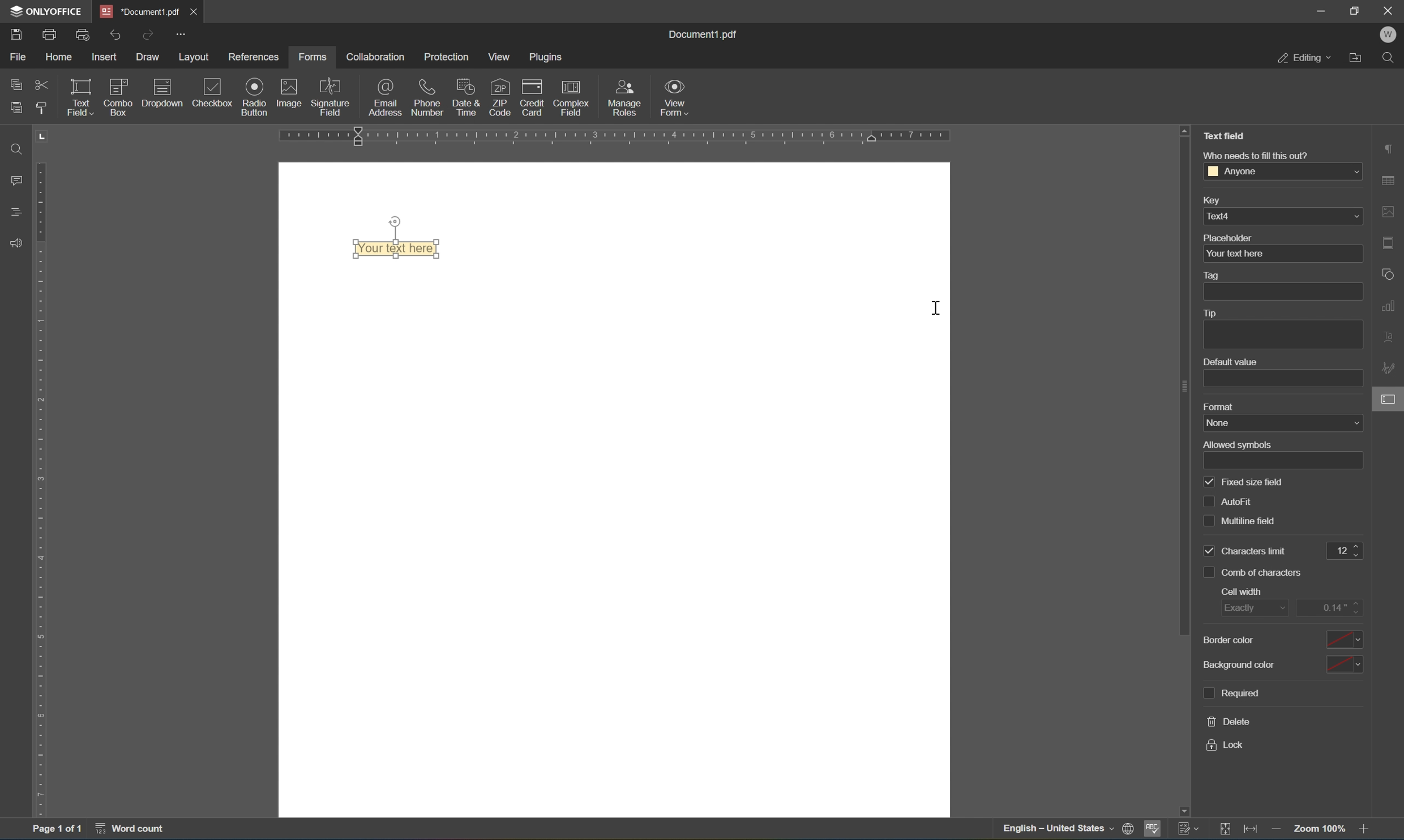 The image size is (1404, 840). I want to click on scroll down, so click(1368, 808).